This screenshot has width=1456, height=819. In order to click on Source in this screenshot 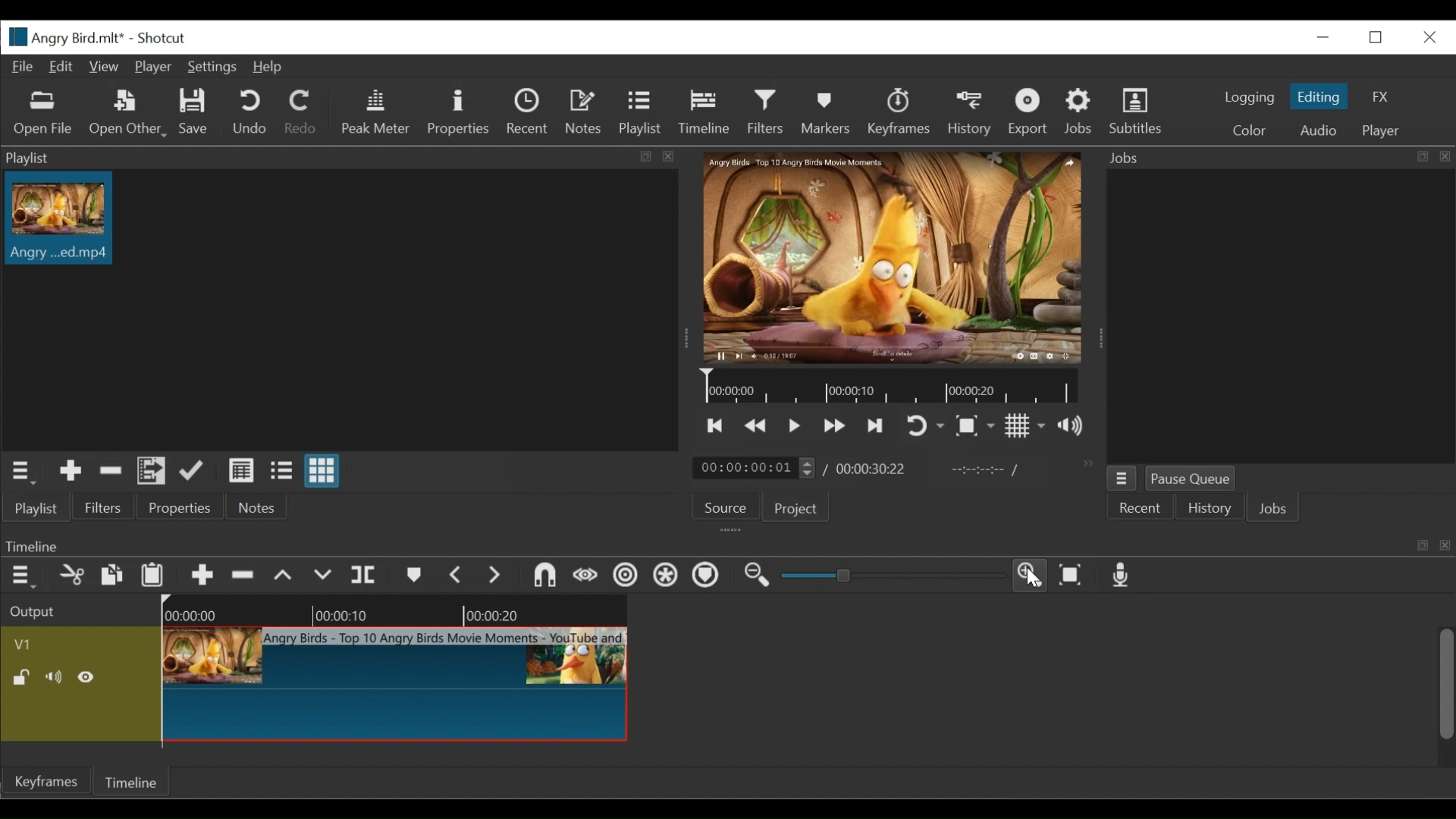, I will do `click(726, 504)`.